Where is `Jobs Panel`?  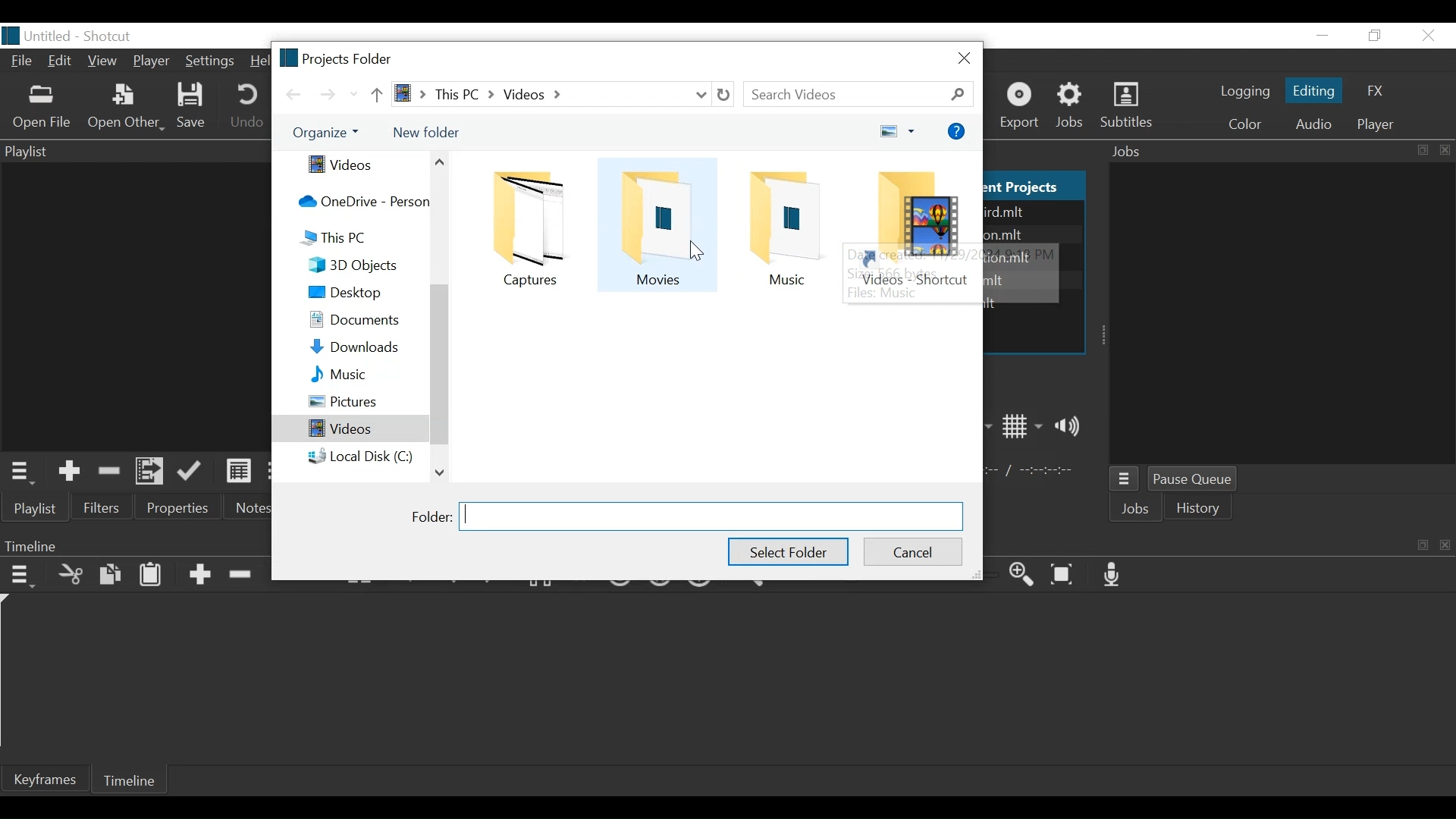
Jobs Panel is located at coordinates (1280, 151).